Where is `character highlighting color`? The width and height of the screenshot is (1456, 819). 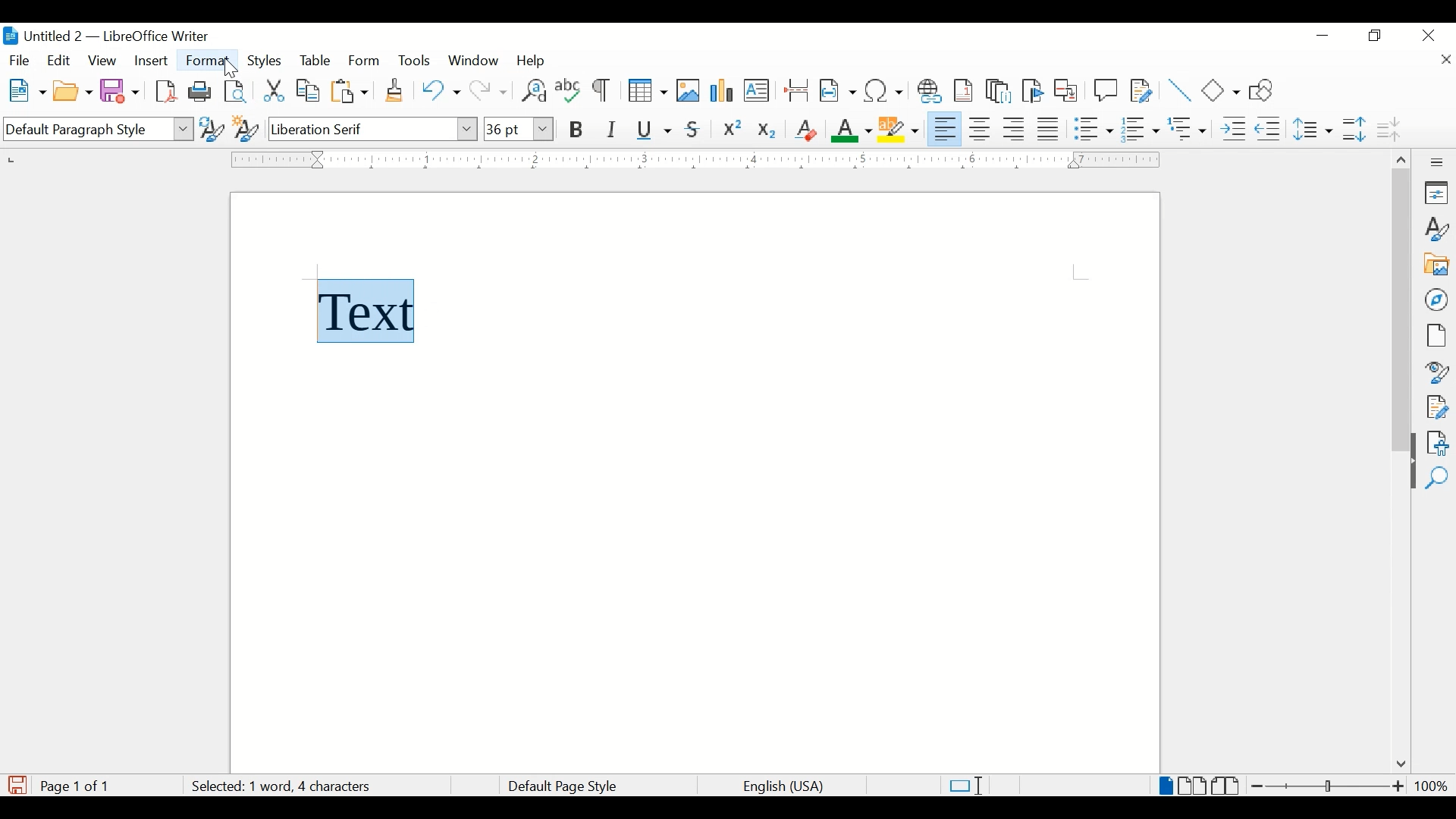
character highlighting color is located at coordinates (900, 128).